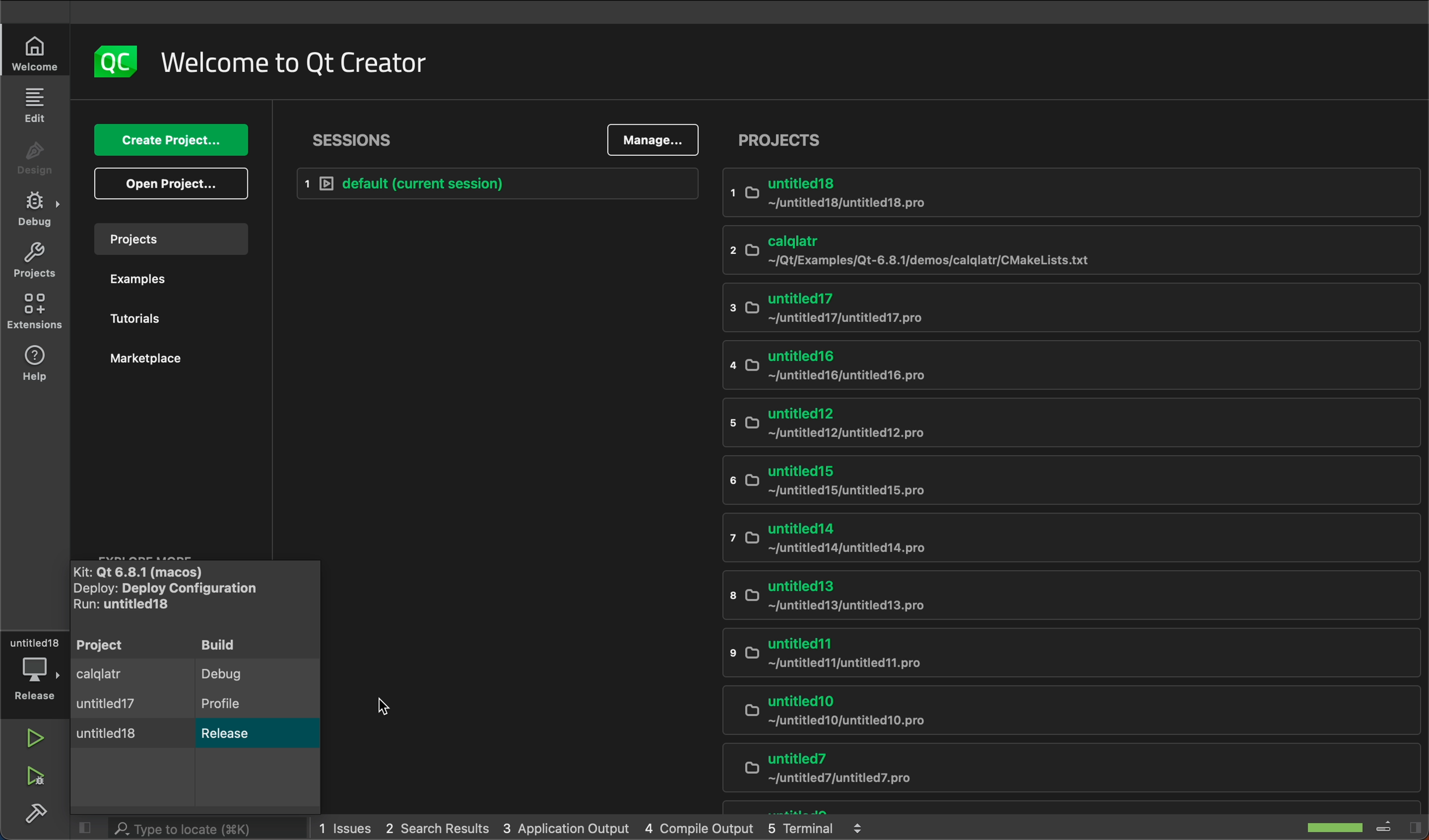  Describe the element at coordinates (657, 139) in the screenshot. I see `manage` at that location.